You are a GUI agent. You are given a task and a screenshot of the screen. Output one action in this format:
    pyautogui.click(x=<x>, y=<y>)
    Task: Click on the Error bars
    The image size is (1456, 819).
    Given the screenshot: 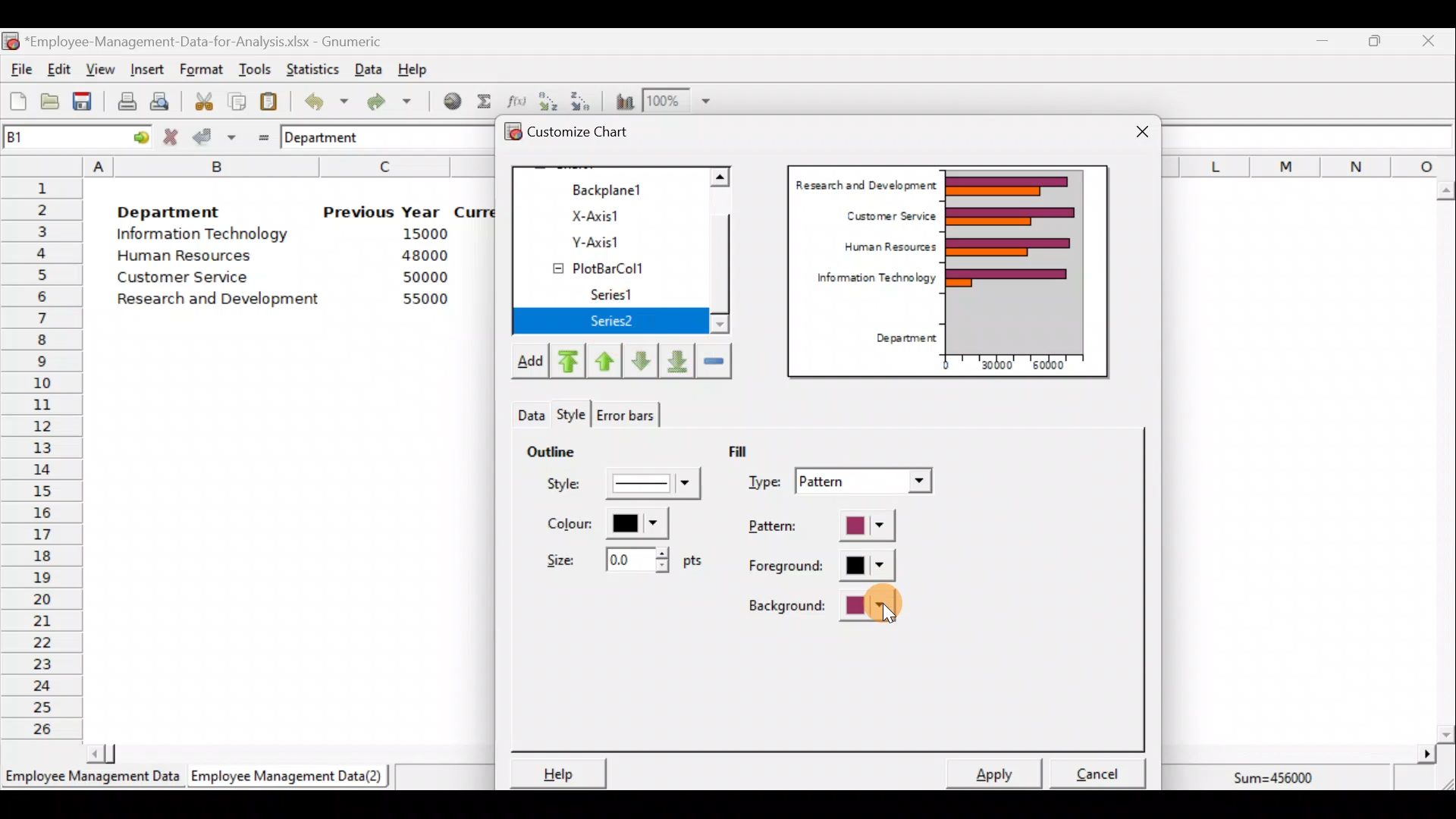 What is the action you would take?
    pyautogui.click(x=625, y=412)
    